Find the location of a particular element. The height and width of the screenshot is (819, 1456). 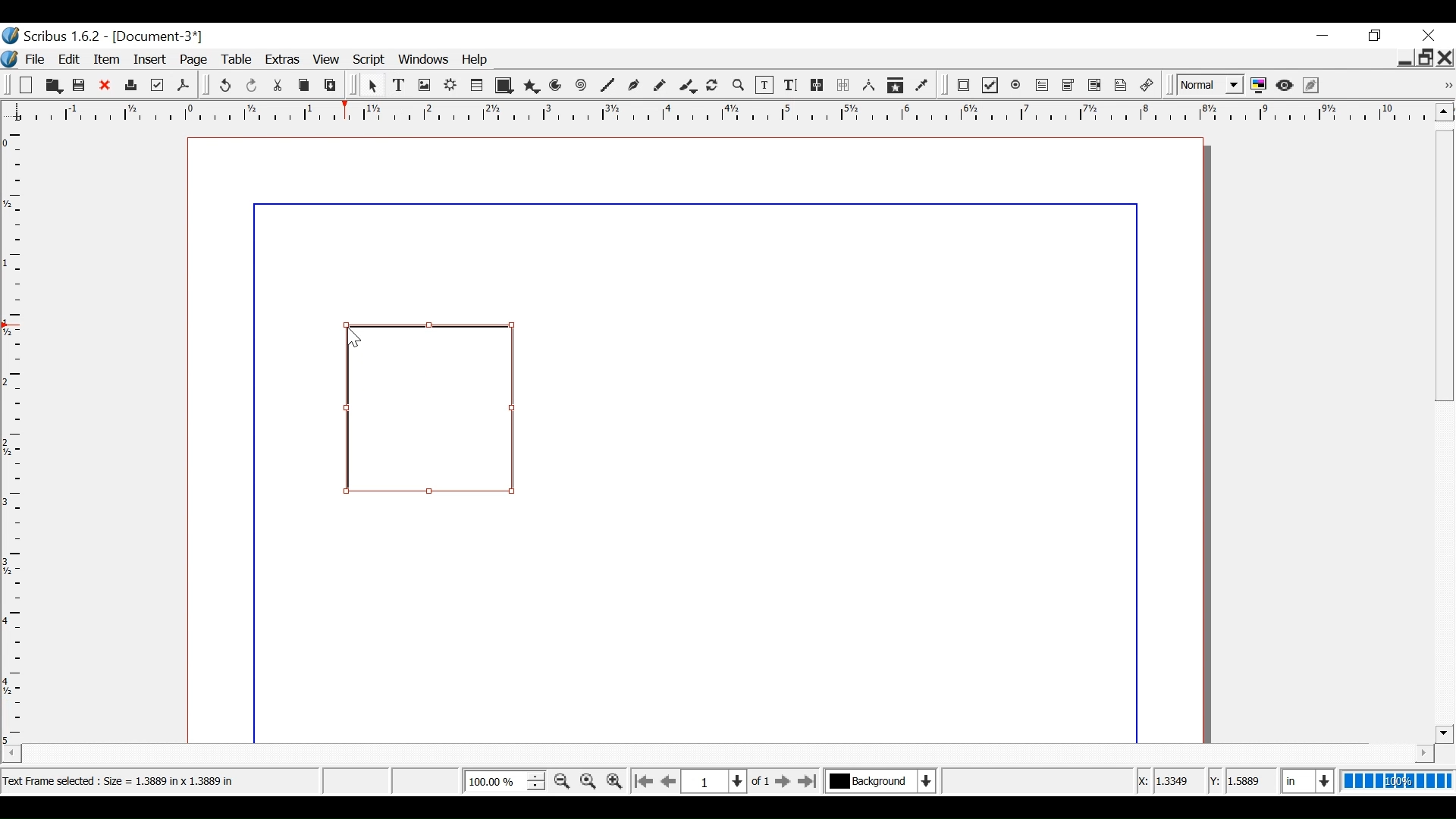

Zoom in is located at coordinates (616, 781).